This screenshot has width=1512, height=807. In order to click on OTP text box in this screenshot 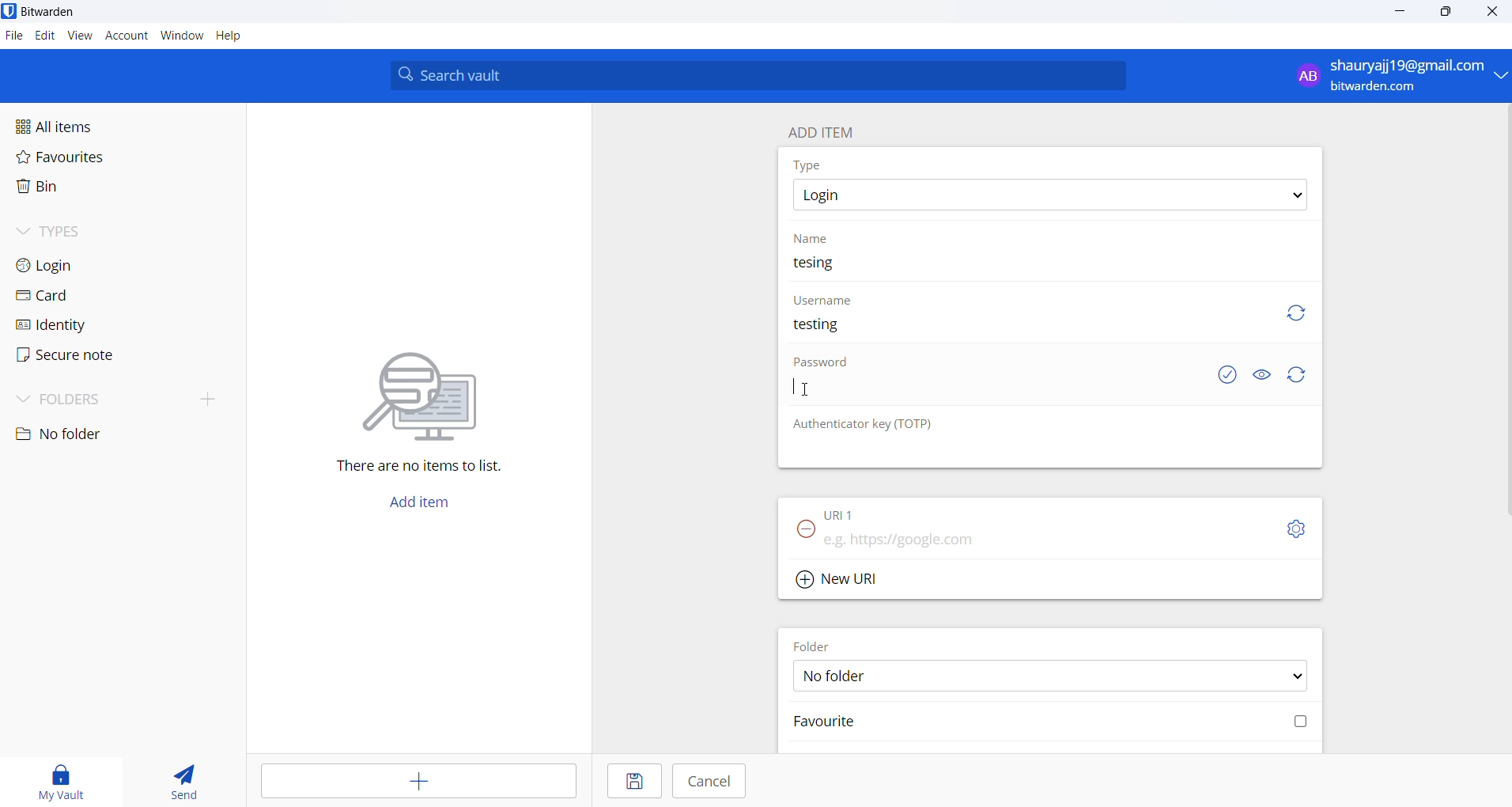, I will do `click(1034, 452)`.